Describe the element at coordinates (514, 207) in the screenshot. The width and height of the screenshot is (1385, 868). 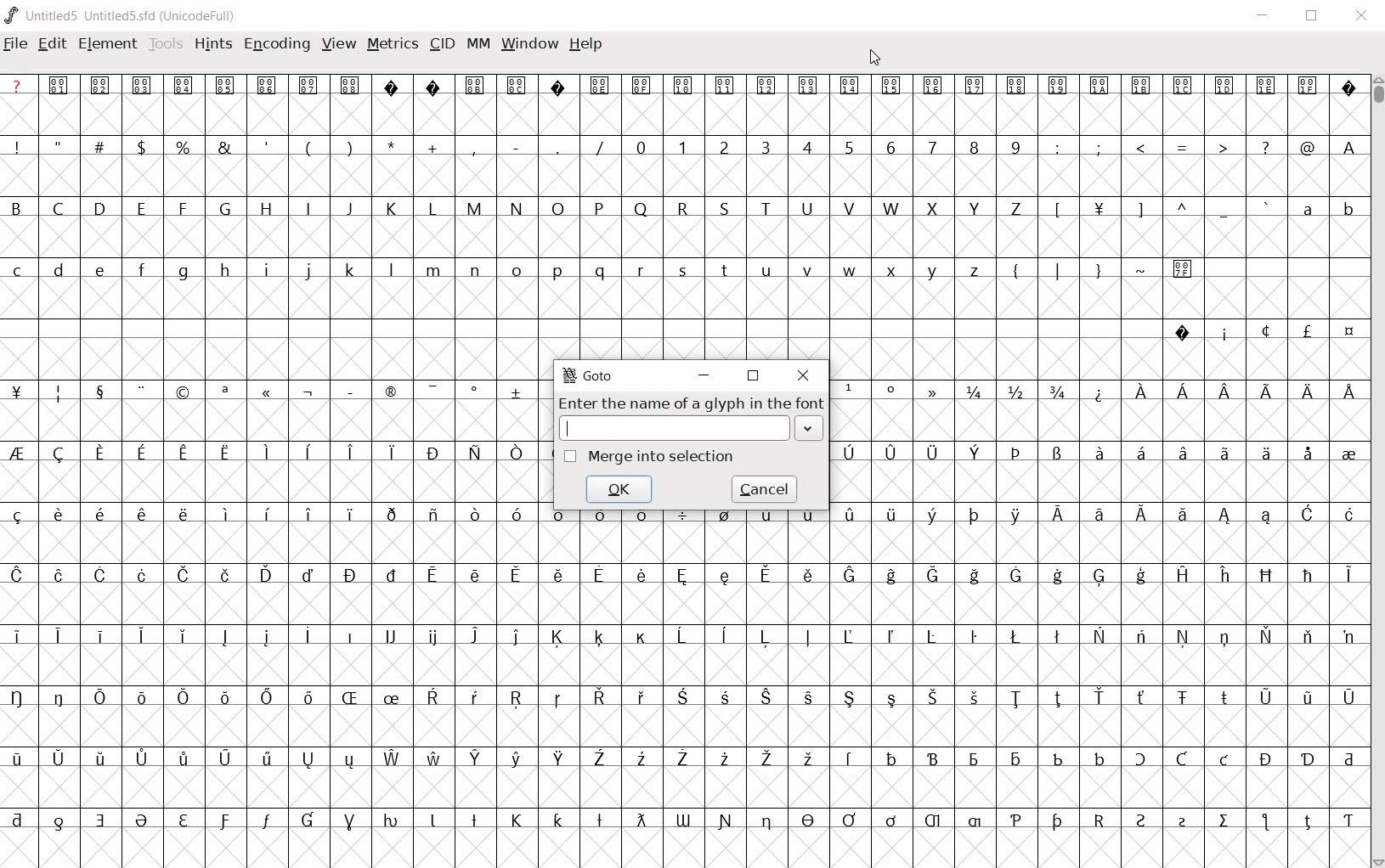
I see `N` at that location.